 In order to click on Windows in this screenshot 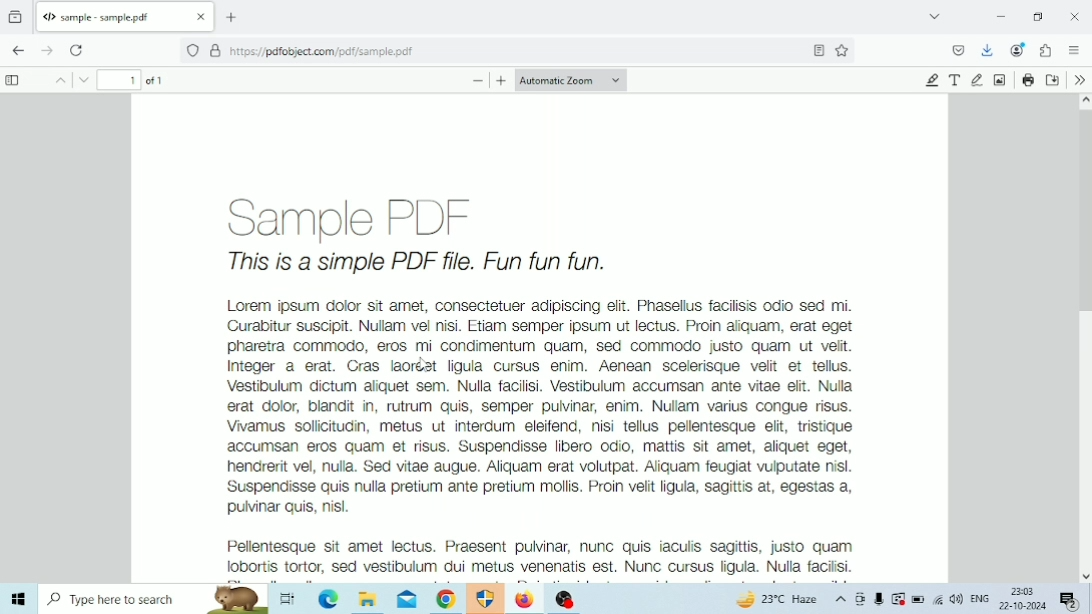, I will do `click(18, 599)`.